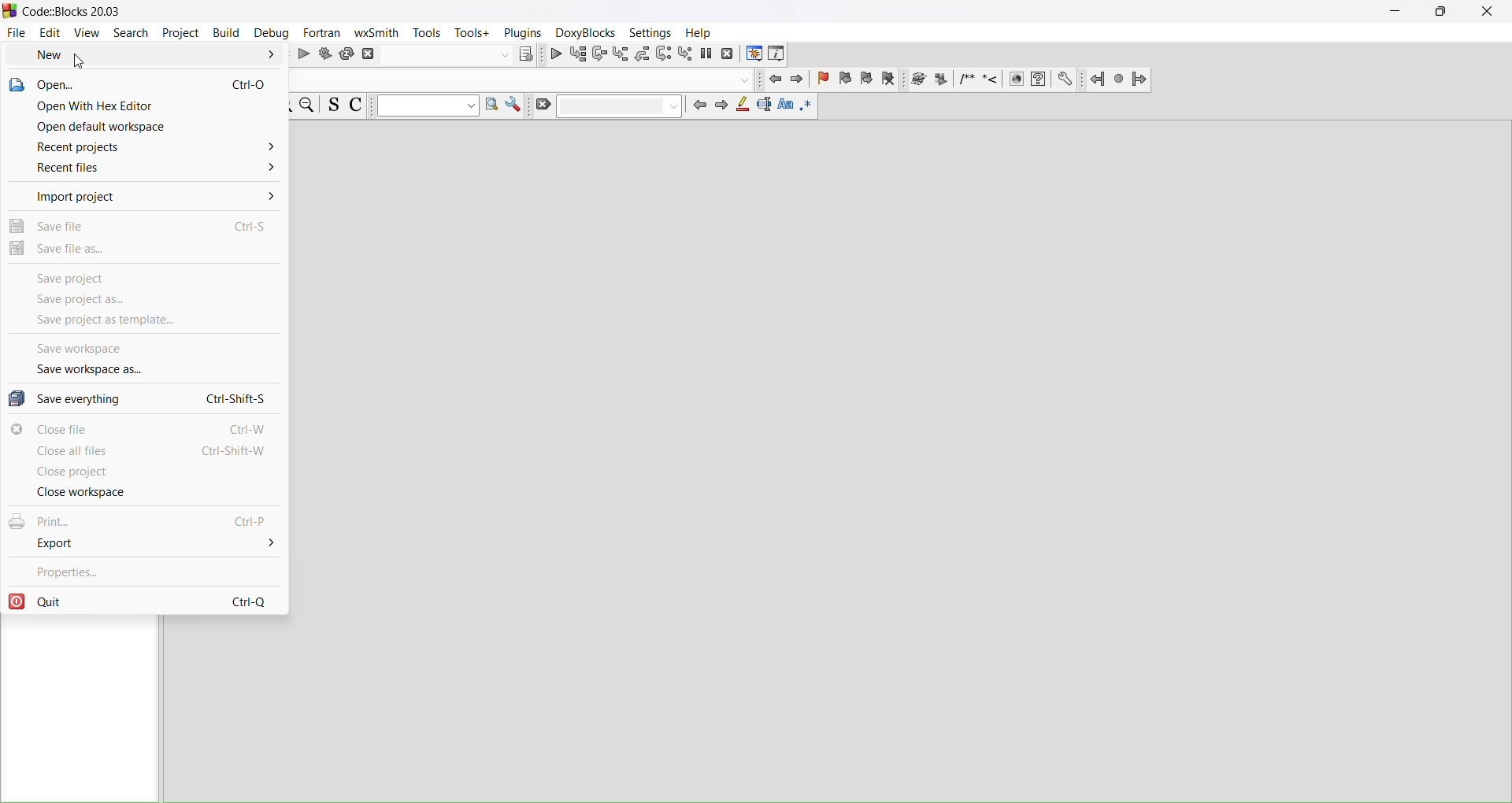 The image size is (1512, 803). Describe the element at coordinates (708, 54) in the screenshot. I see `break debugger` at that location.